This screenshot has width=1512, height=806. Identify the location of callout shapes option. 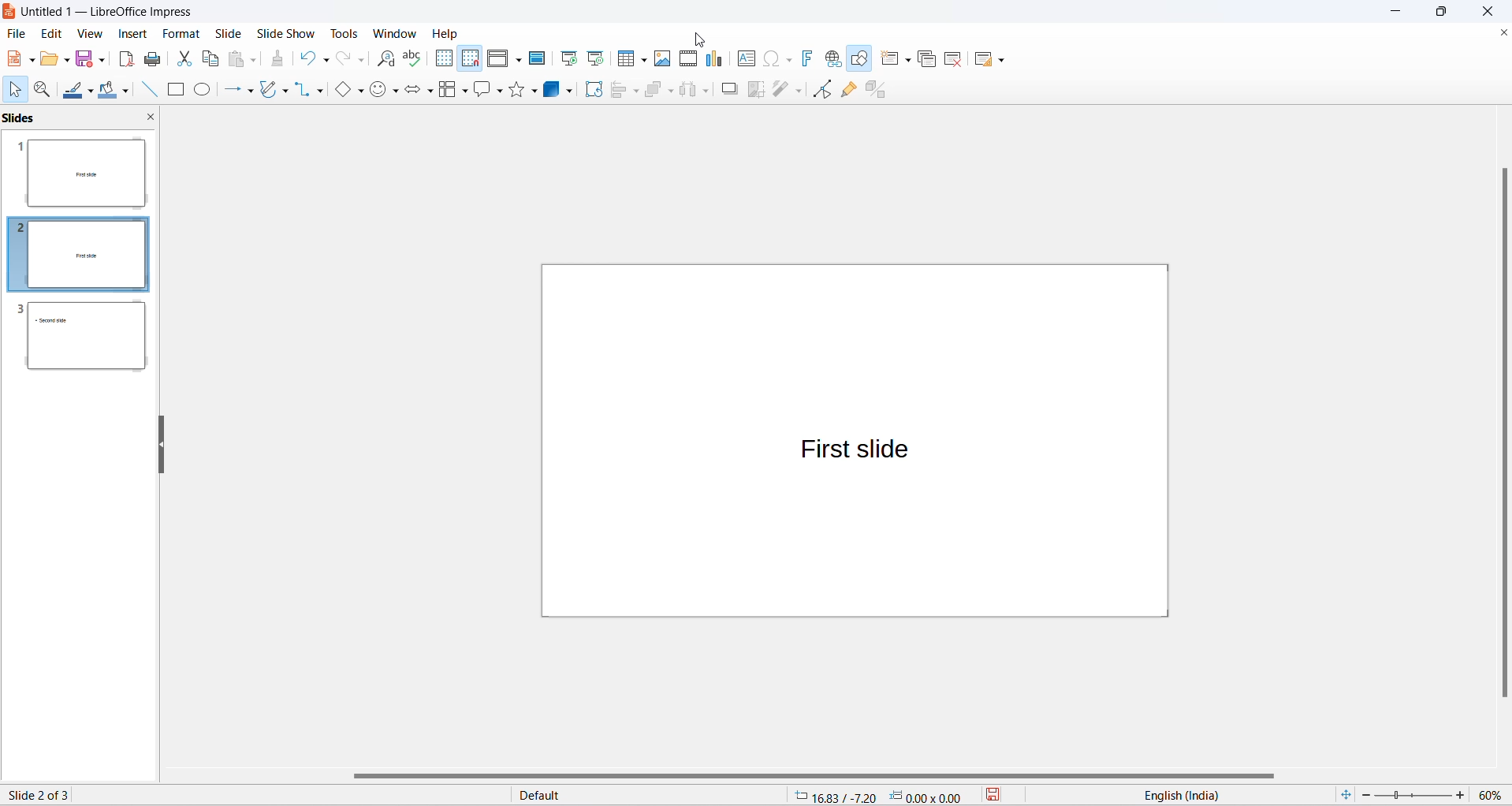
(497, 89).